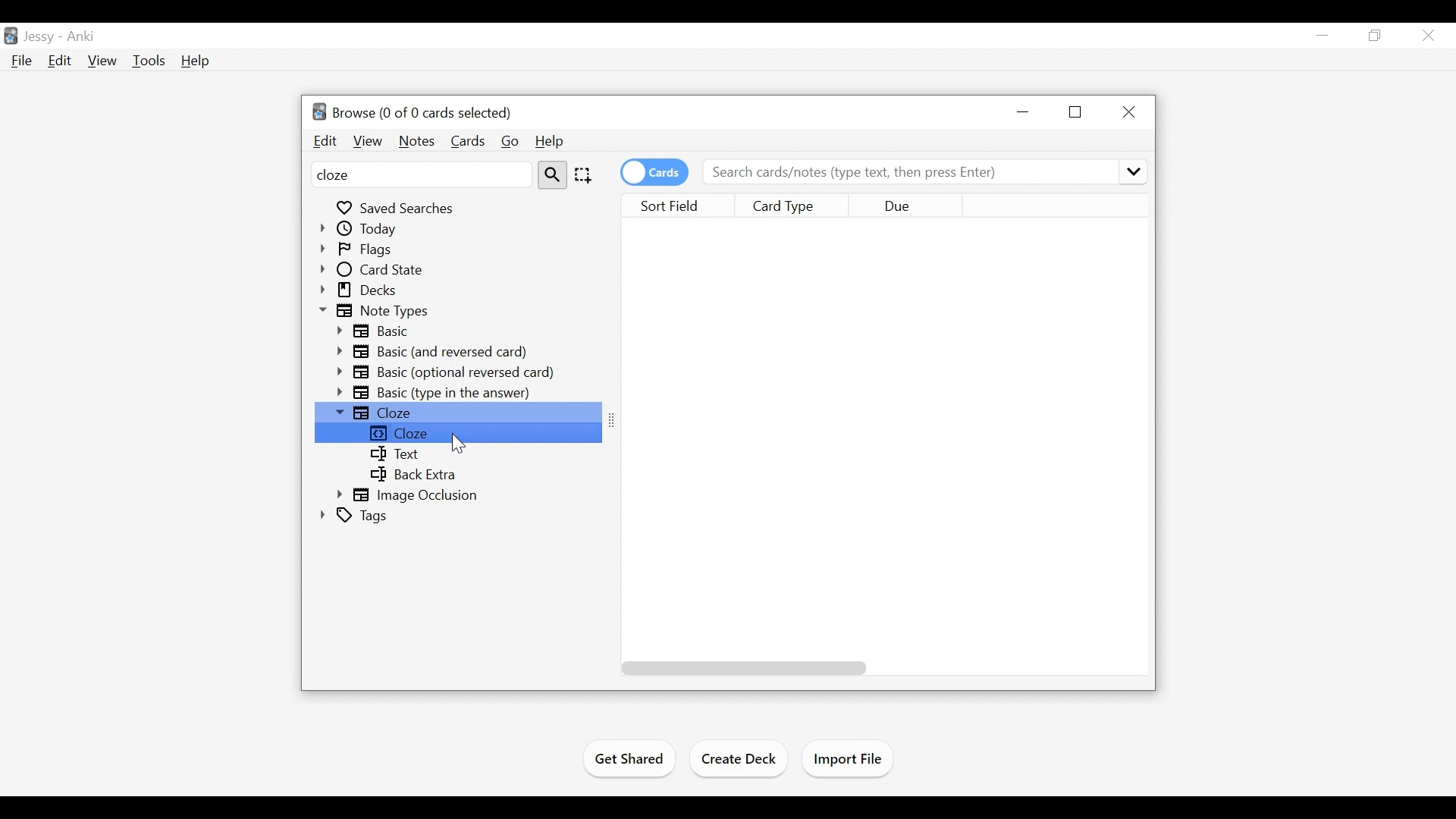 This screenshot has width=1456, height=819. I want to click on Search cards/notes , so click(923, 173).